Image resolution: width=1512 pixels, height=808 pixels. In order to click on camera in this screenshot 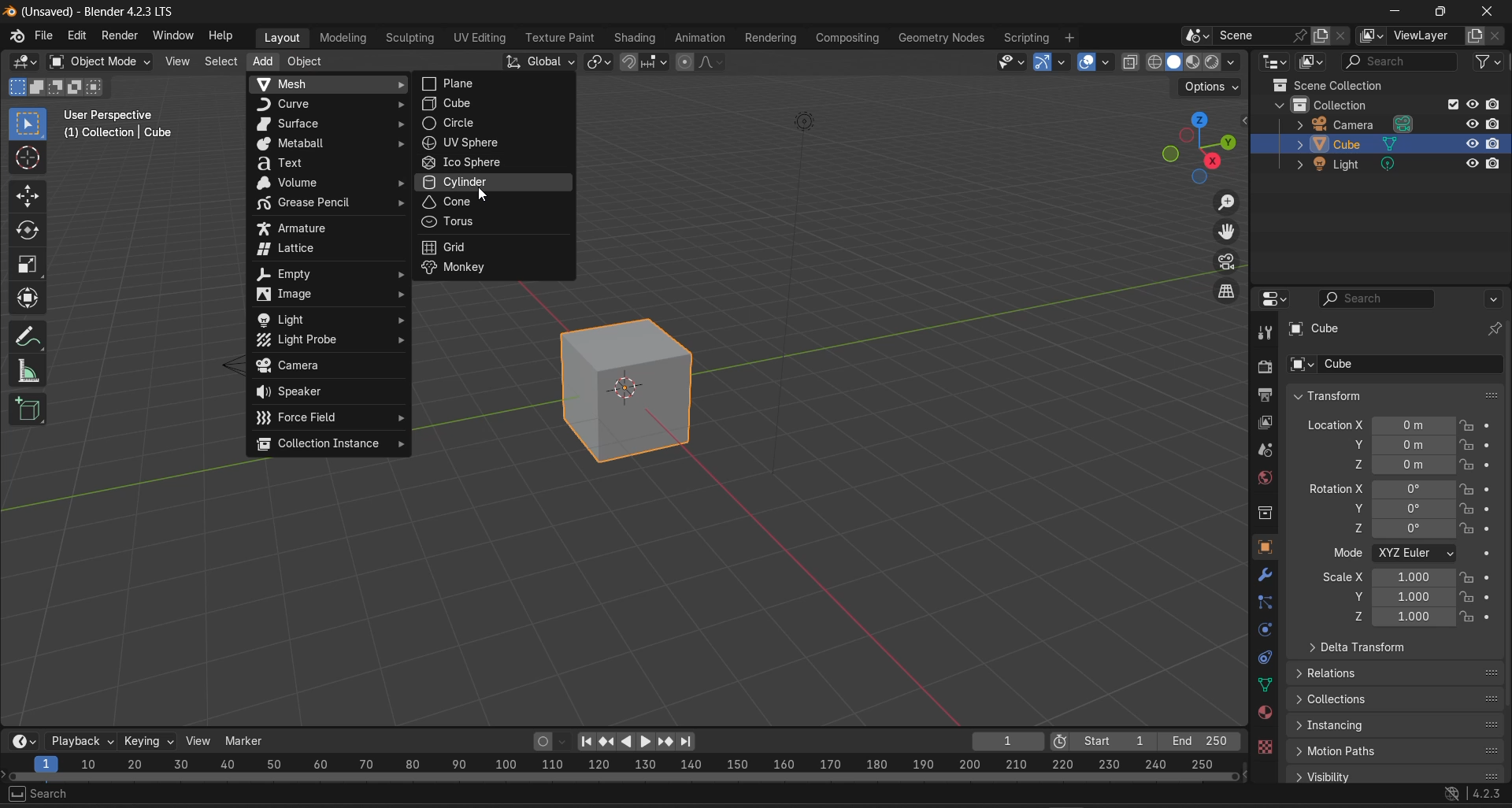, I will do `click(802, 293)`.